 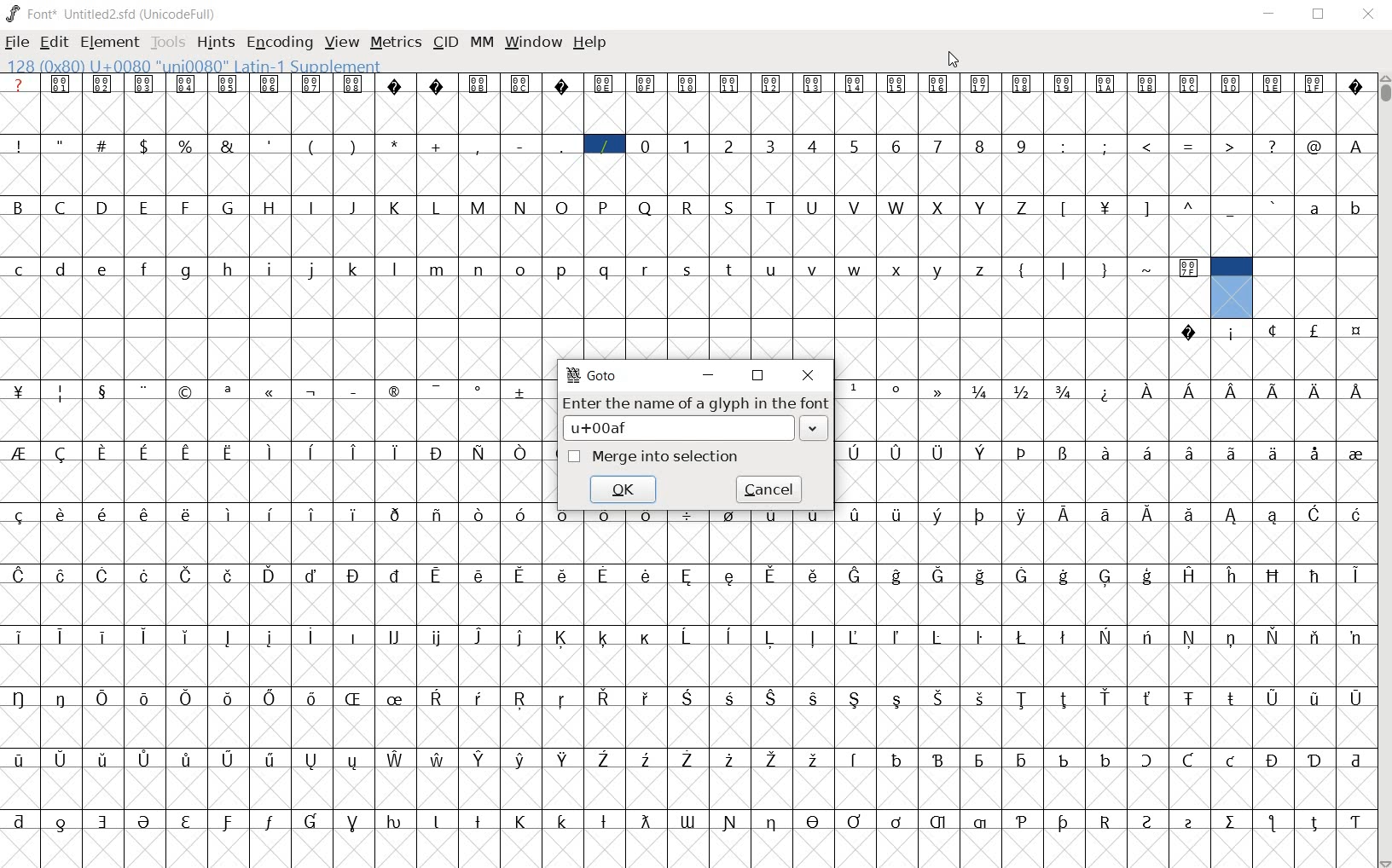 I want to click on h, so click(x=229, y=268).